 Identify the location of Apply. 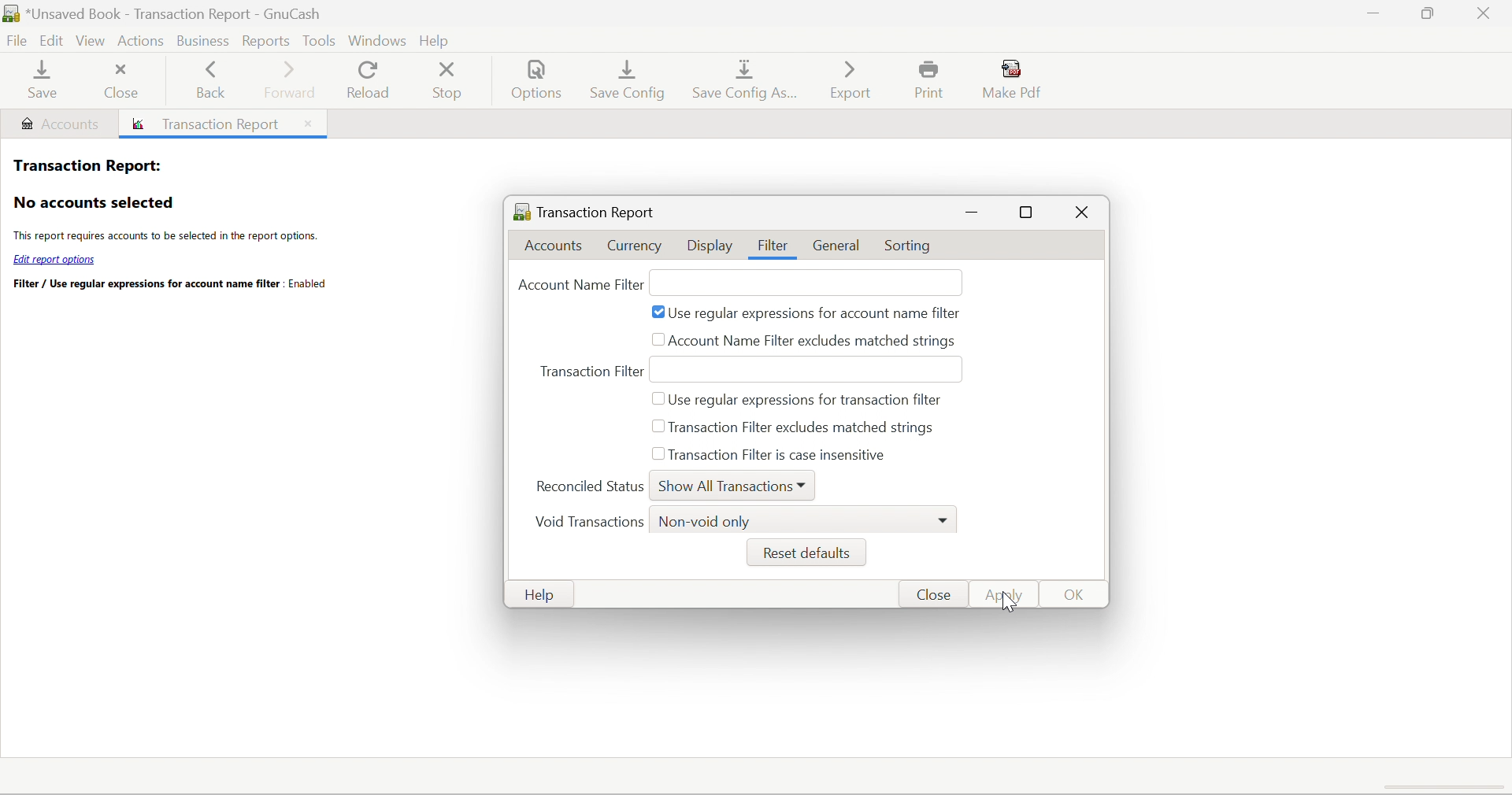
(1007, 594).